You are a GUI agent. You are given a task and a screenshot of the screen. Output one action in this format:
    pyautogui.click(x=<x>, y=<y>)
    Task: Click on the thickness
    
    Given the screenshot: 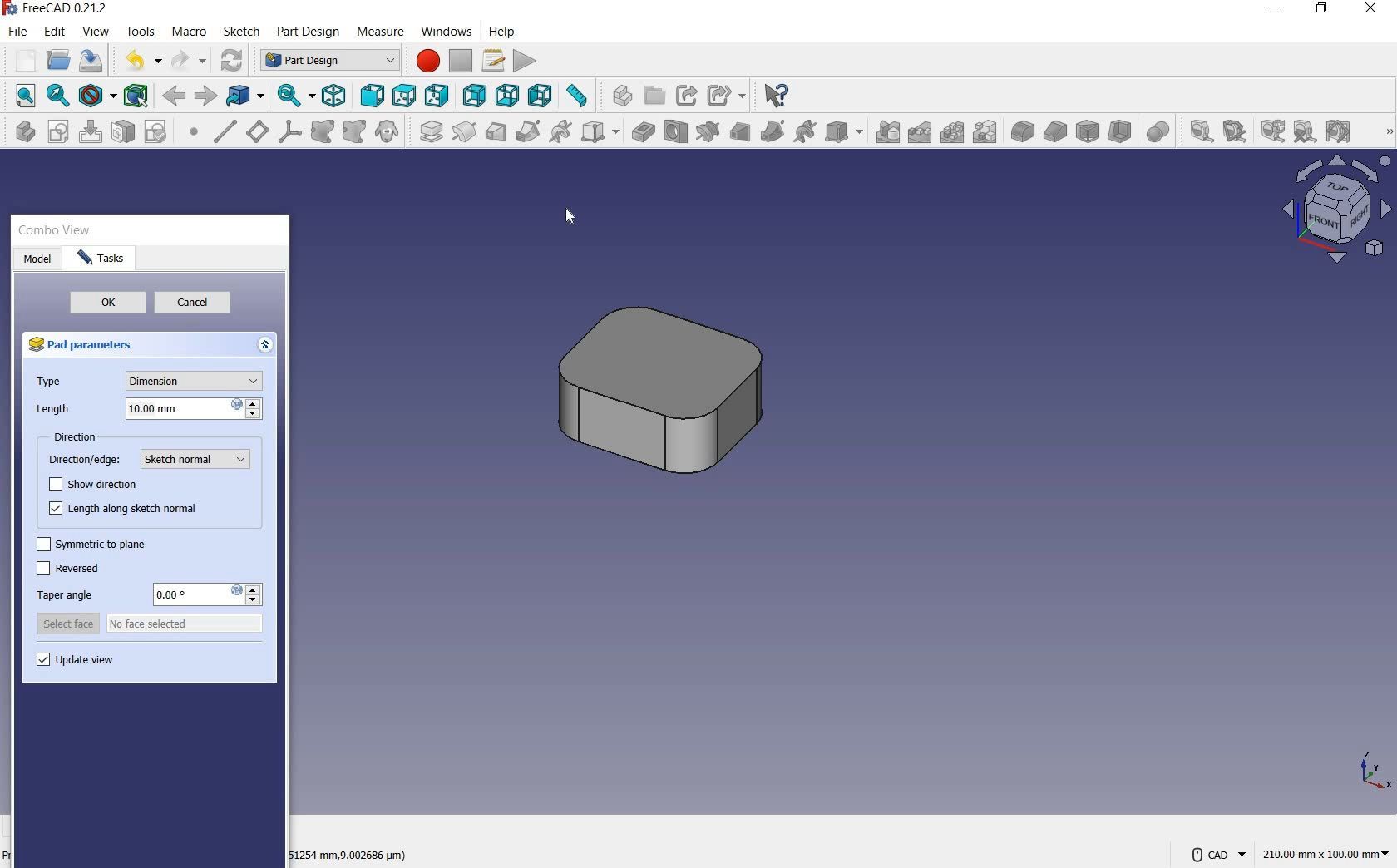 What is the action you would take?
    pyautogui.click(x=1120, y=132)
    